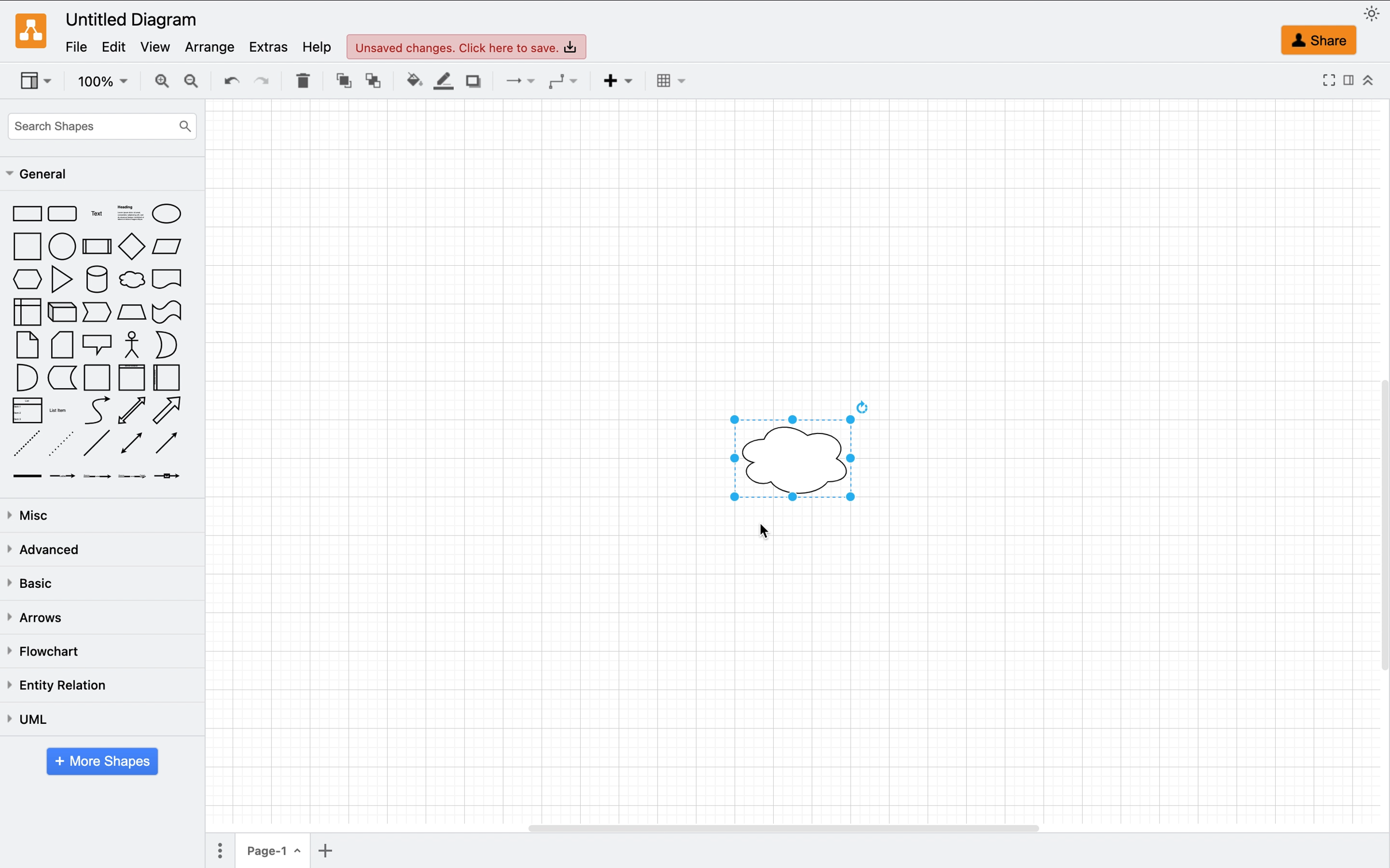 The height and width of the screenshot is (868, 1390). I want to click on document, so click(169, 280).